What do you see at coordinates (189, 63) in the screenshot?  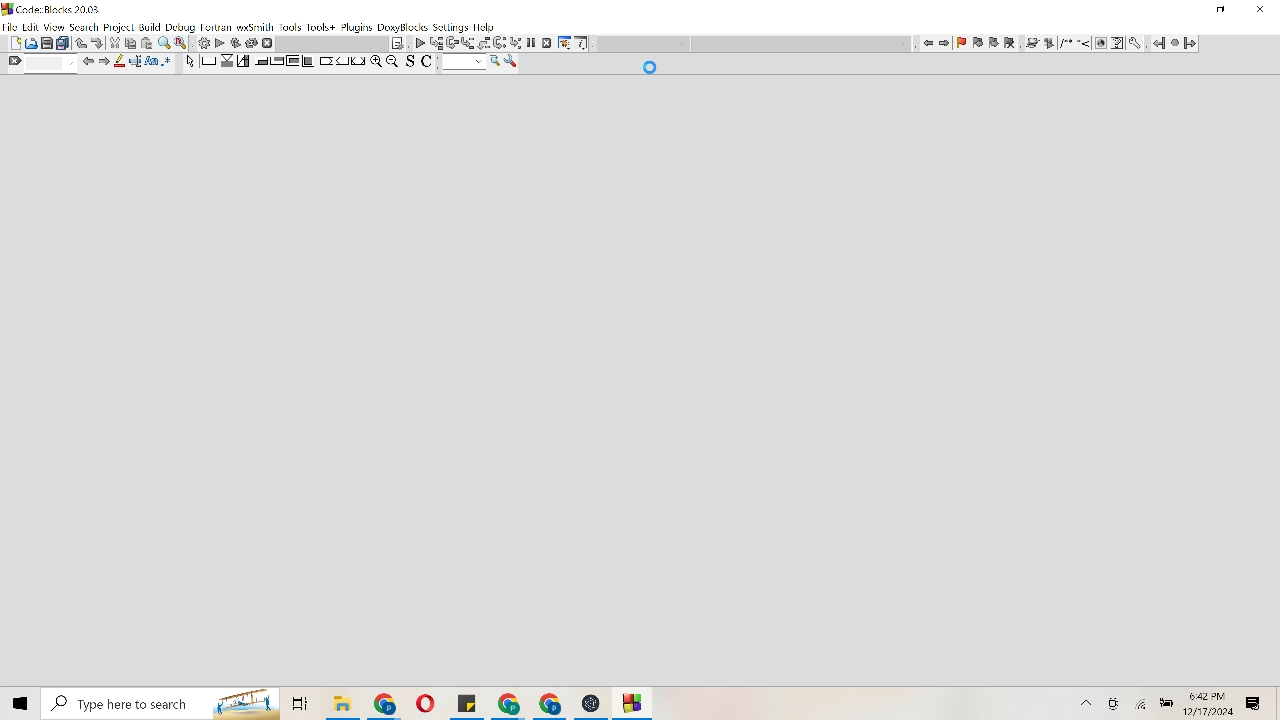 I see `Arrow` at bounding box center [189, 63].